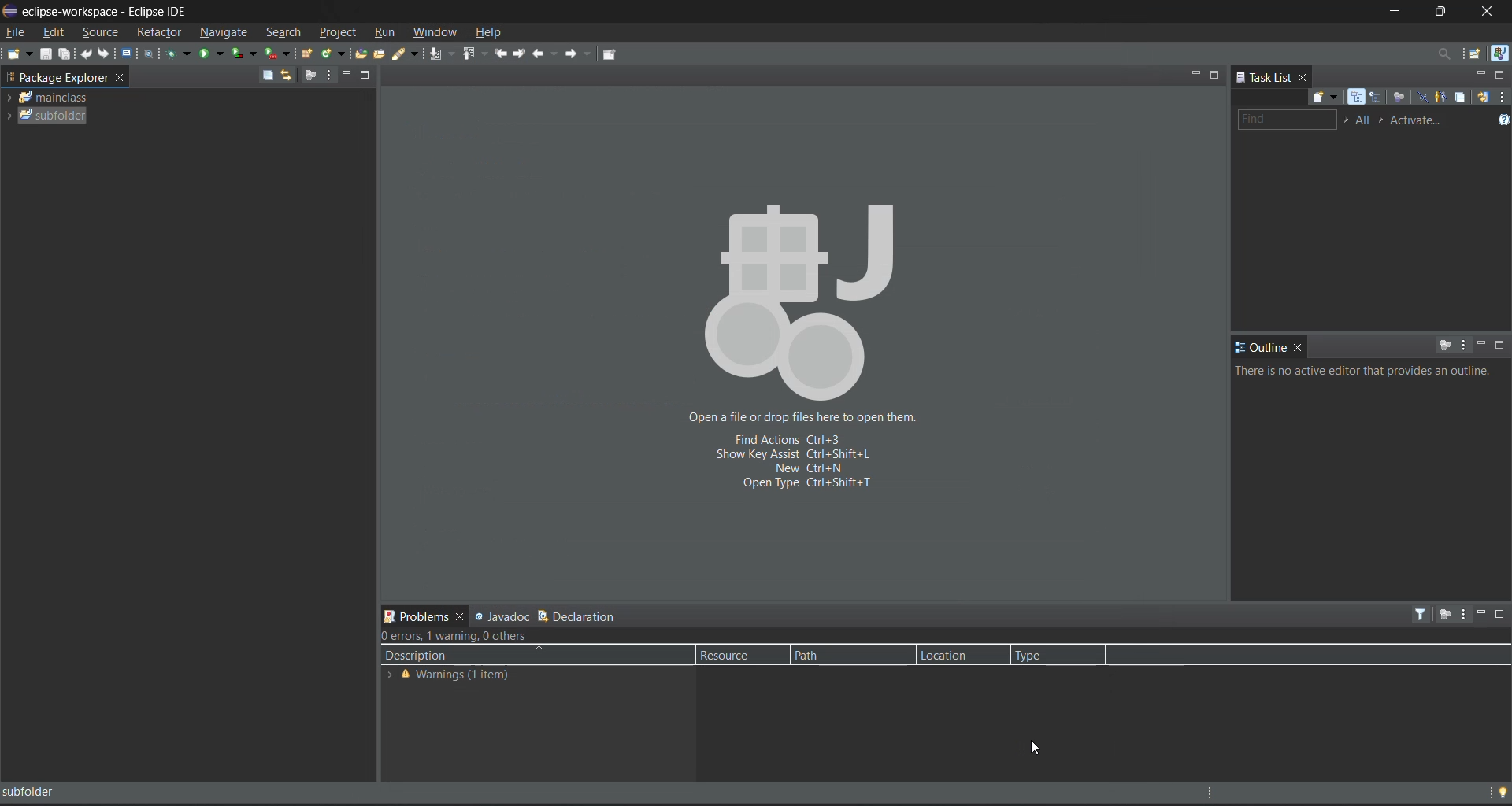 The width and height of the screenshot is (1512, 806). I want to click on focus on active tasks , so click(310, 76).